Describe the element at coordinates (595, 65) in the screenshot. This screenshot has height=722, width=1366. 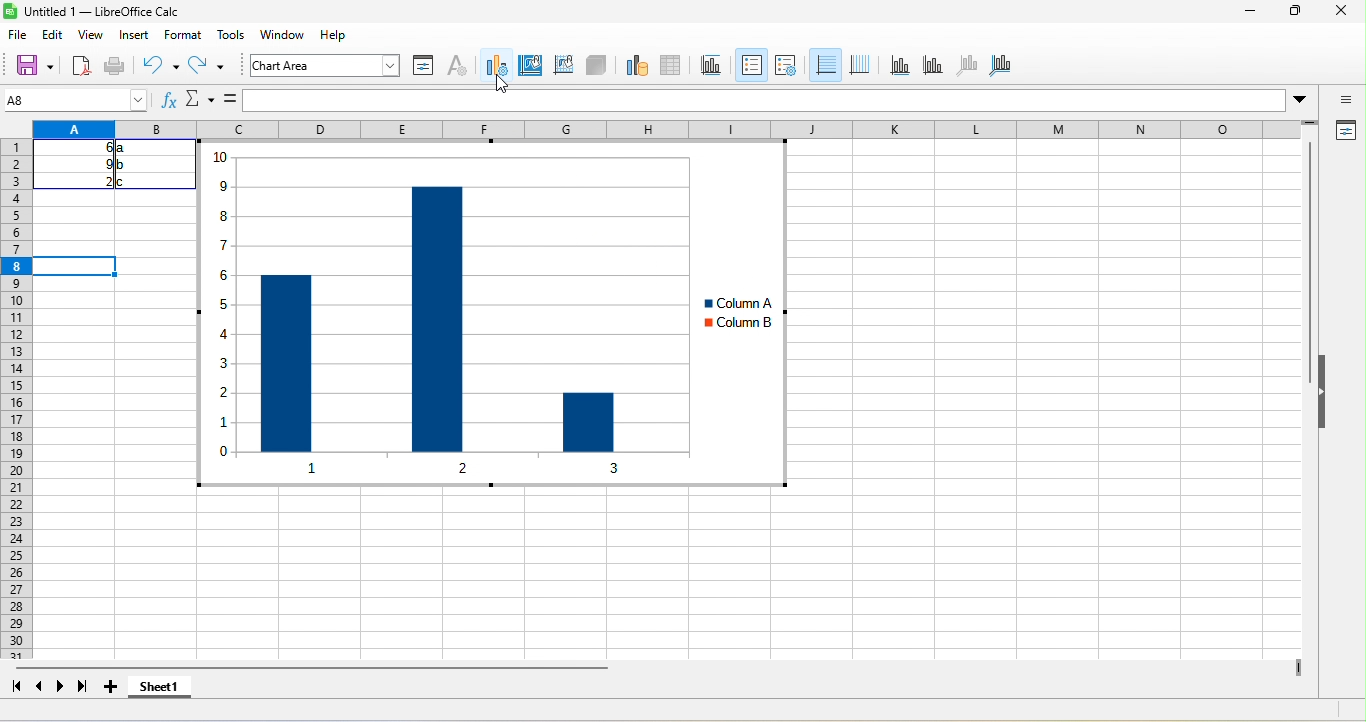
I see `3d view` at that location.